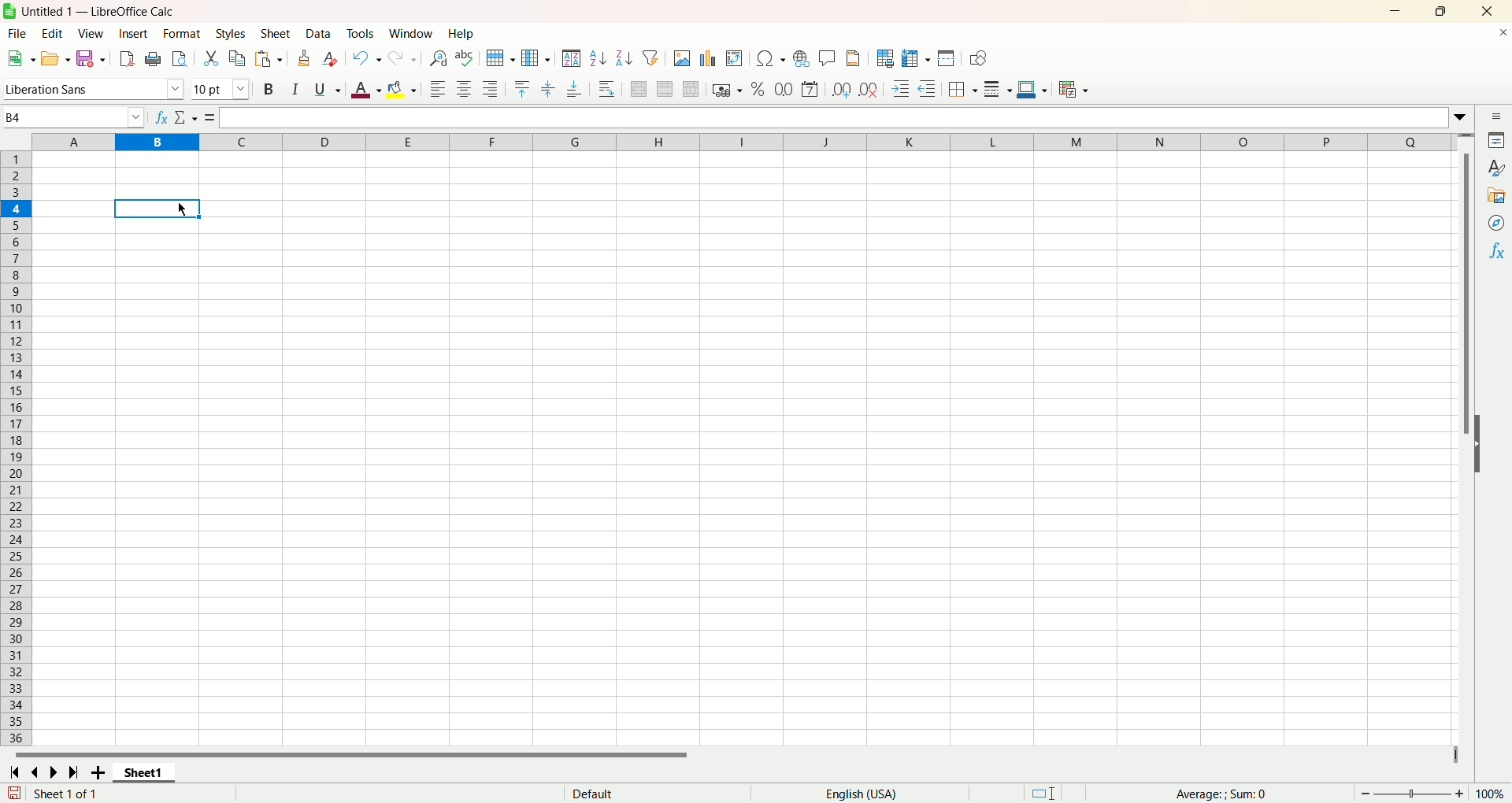  I want to click on font size, so click(221, 90).